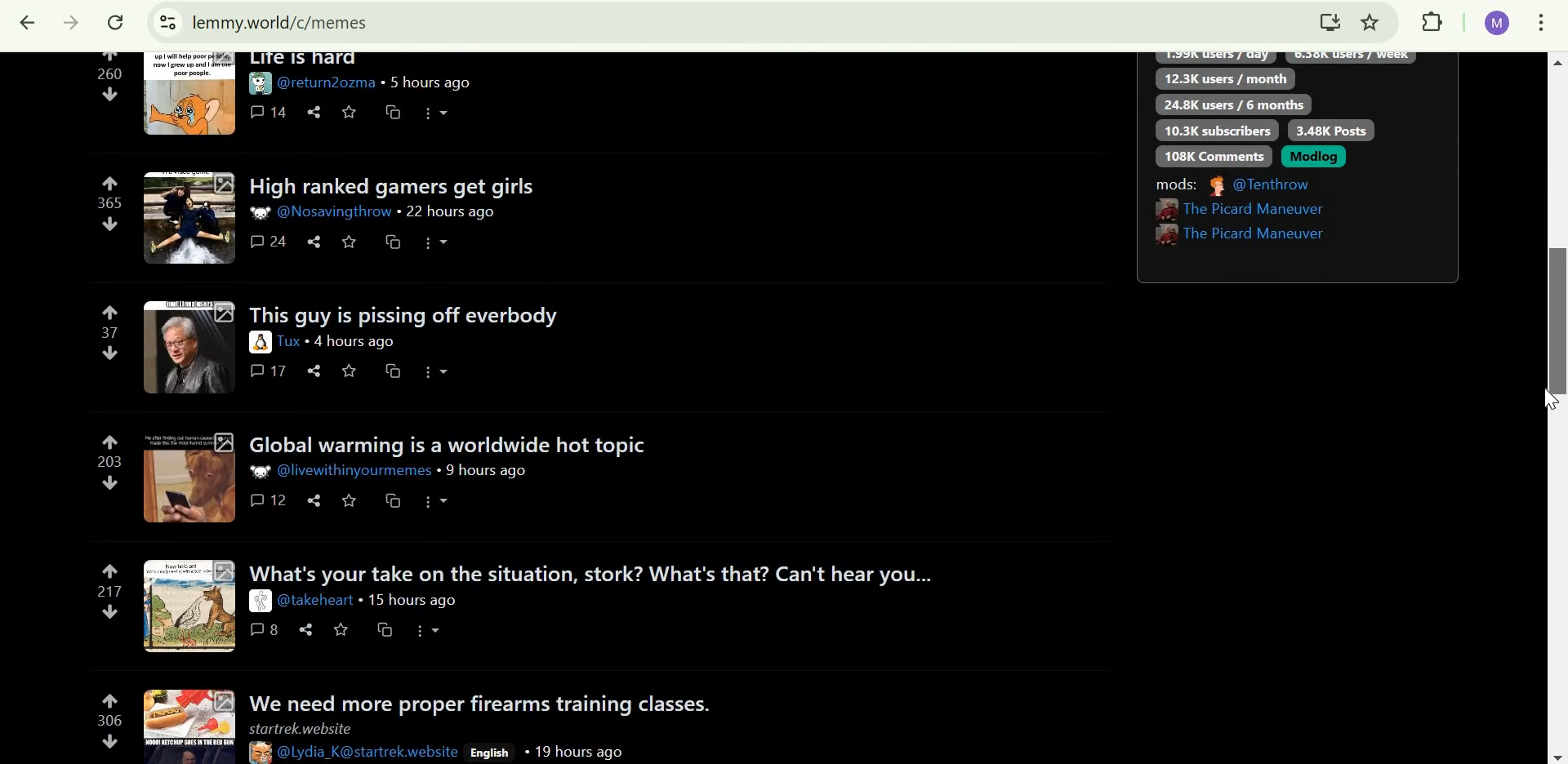 This screenshot has width=1568, height=764. Describe the element at coordinates (393, 371) in the screenshot. I see `cross-post` at that location.